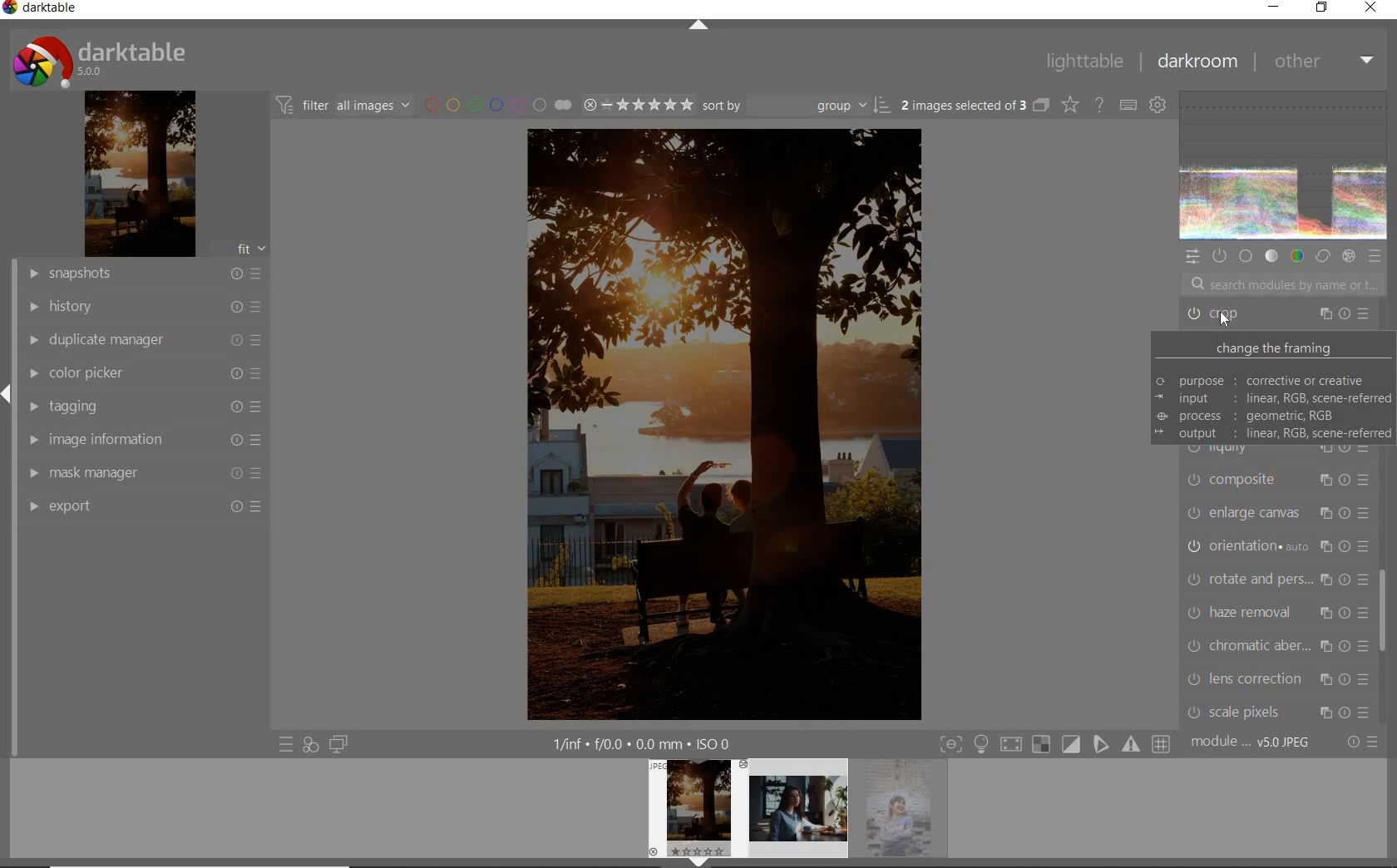 The image size is (1397, 868). I want to click on scale pixels, so click(1279, 714).